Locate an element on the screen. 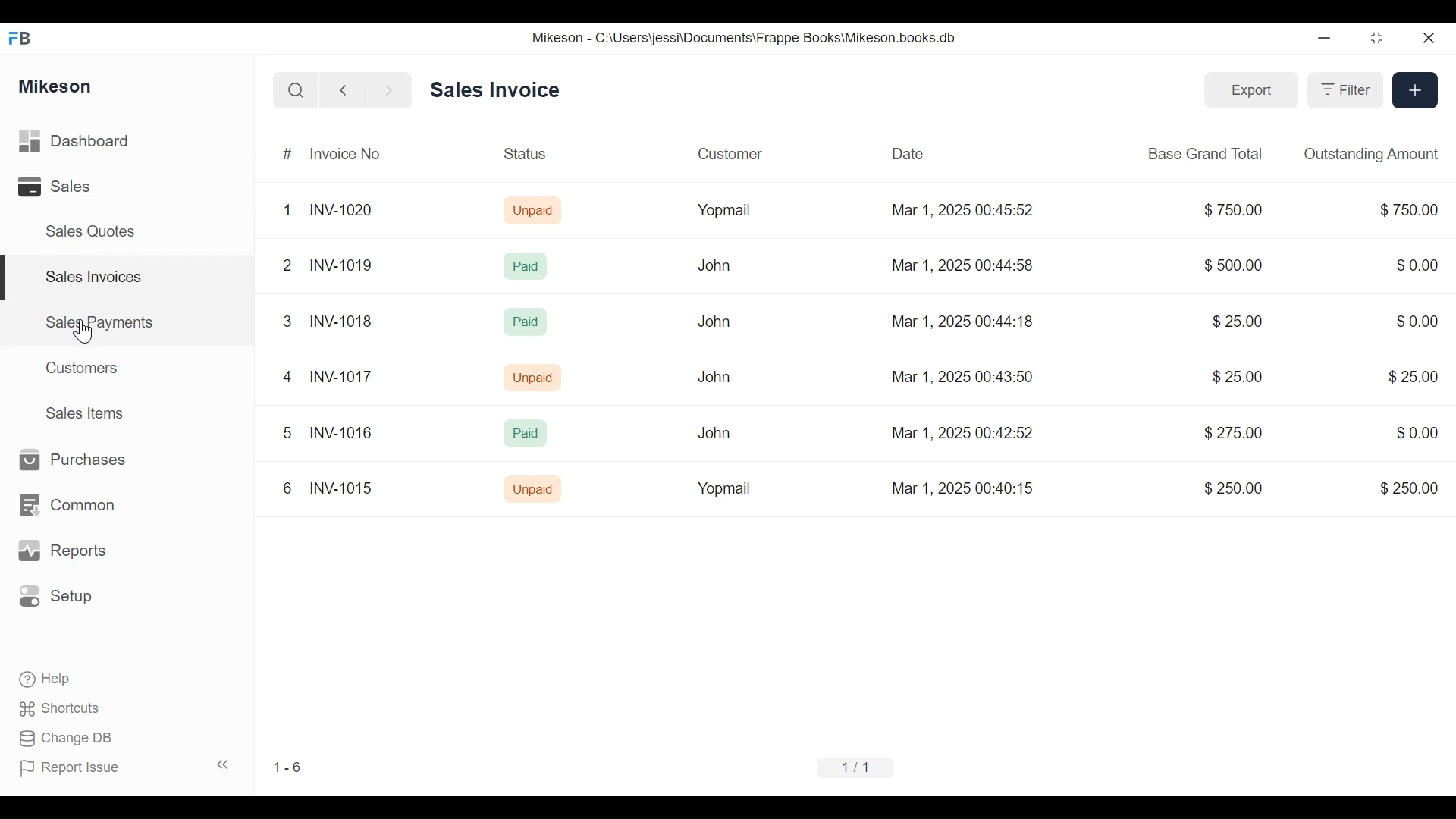 The image size is (1456, 819). $275.00 is located at coordinates (1235, 434).